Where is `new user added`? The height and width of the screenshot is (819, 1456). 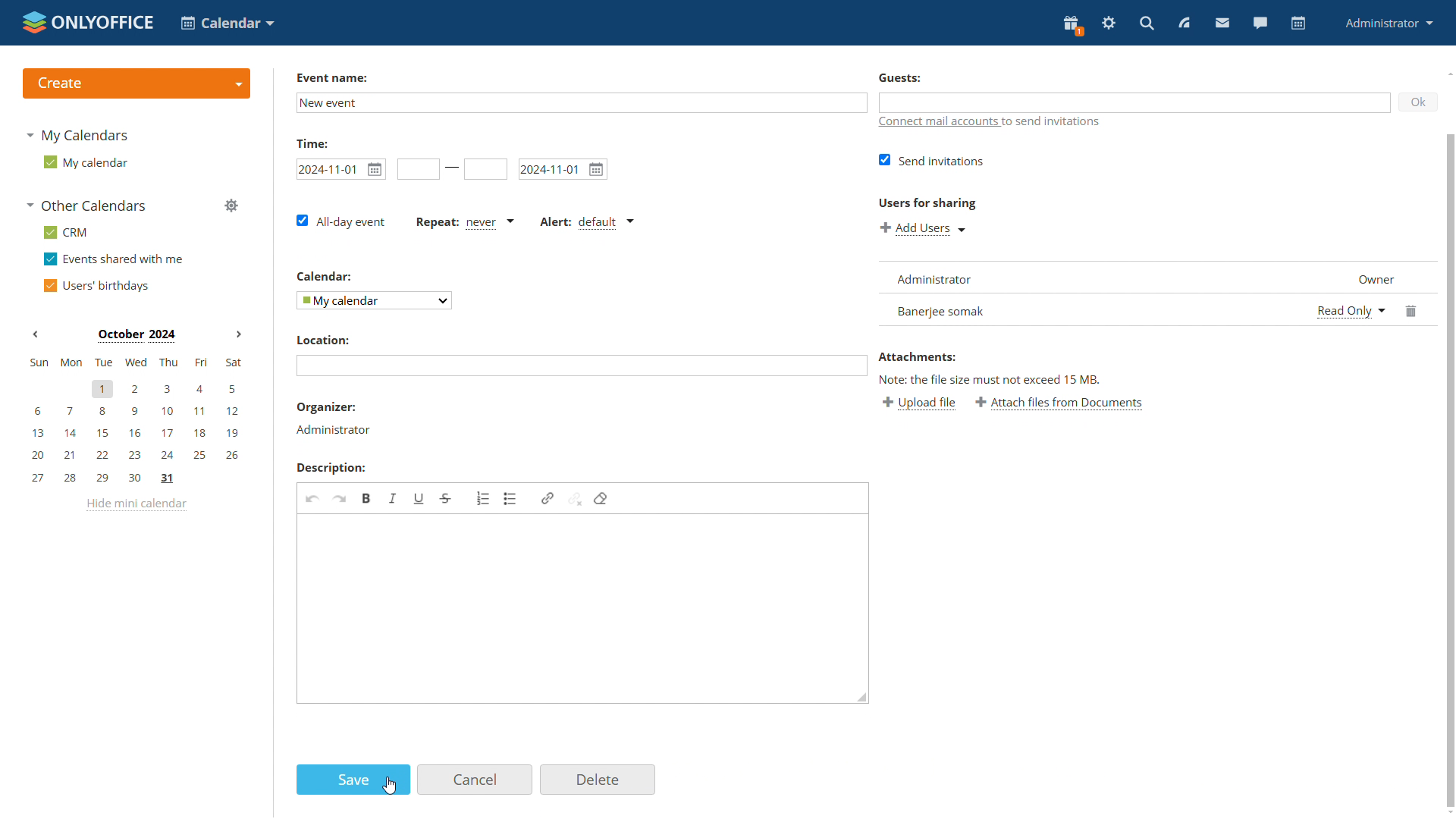 new user added is located at coordinates (1089, 310).